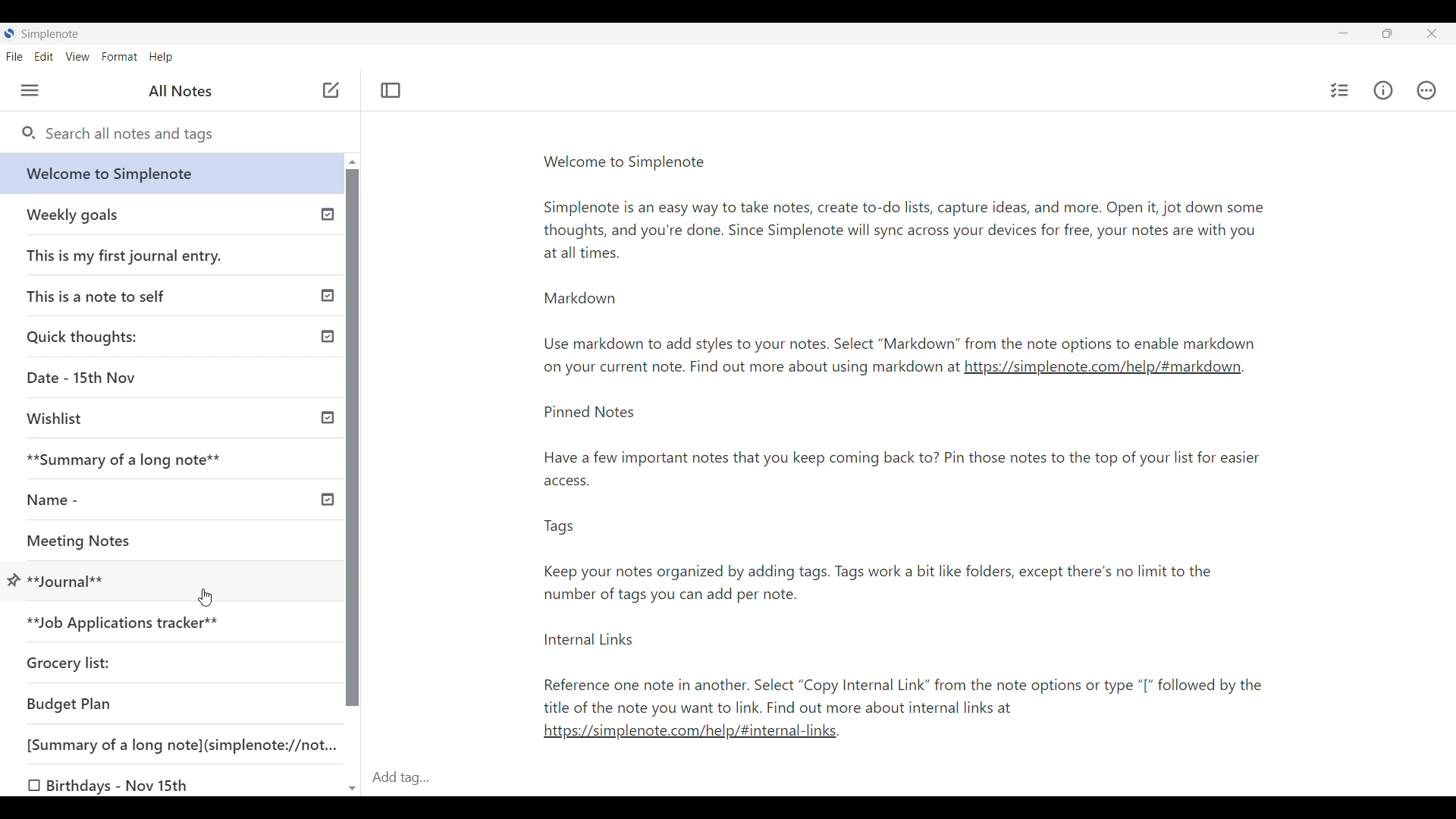 This screenshot has height=819, width=1456. Describe the element at coordinates (52, 34) in the screenshot. I see `Software name` at that location.